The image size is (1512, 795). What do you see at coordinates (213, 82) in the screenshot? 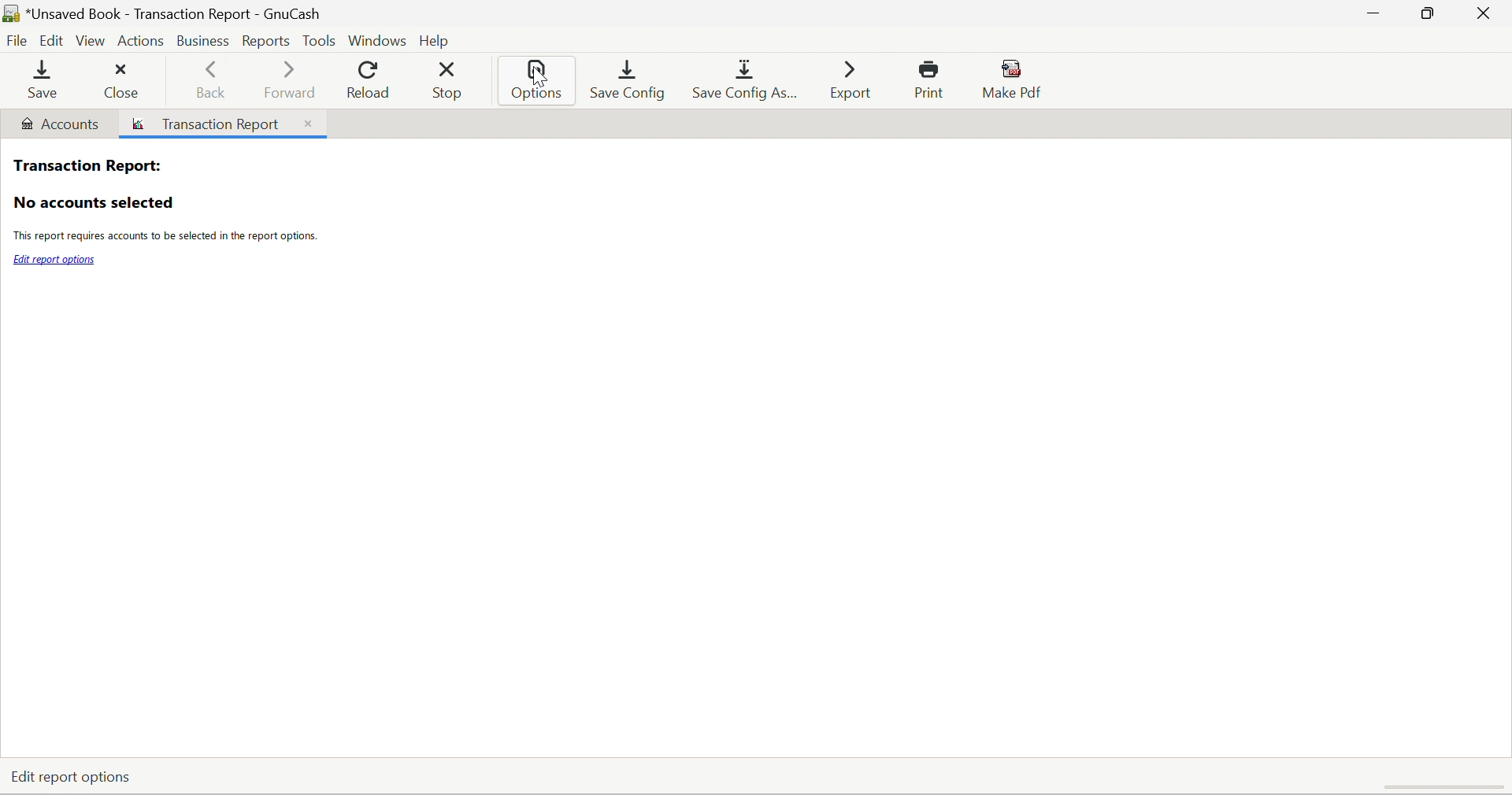
I see `Back` at bounding box center [213, 82].